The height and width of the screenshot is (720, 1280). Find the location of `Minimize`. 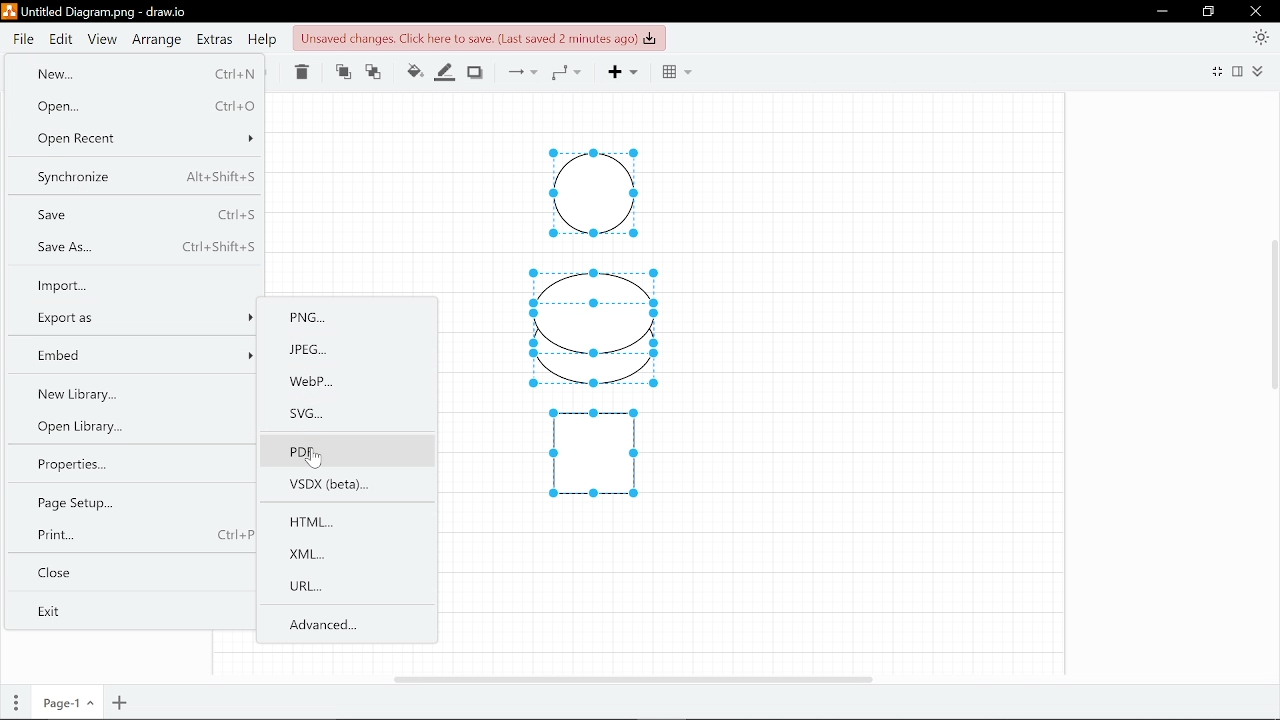

Minimize is located at coordinates (1162, 12).